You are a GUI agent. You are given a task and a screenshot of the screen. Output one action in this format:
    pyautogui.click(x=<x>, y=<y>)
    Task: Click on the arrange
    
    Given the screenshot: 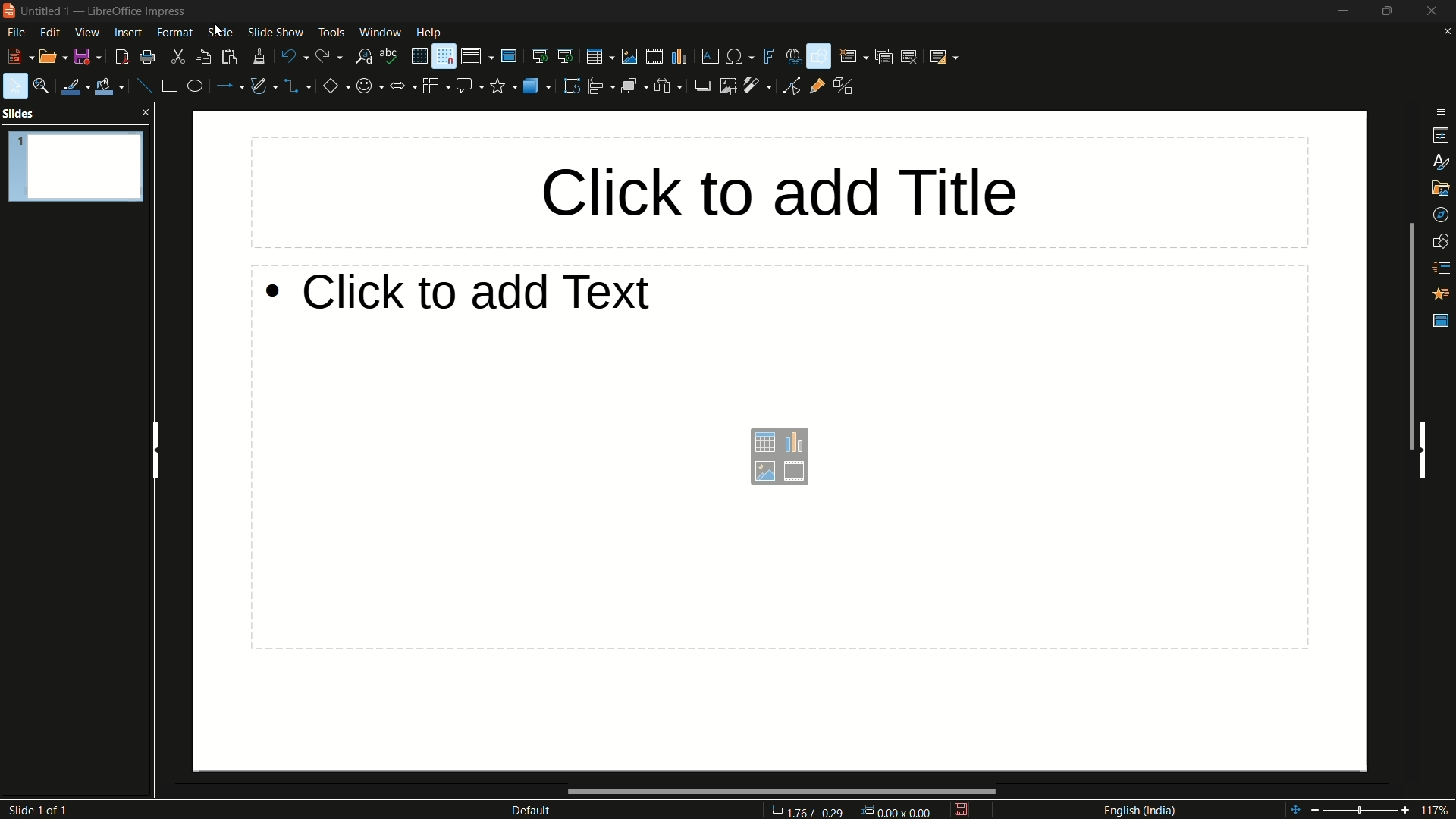 What is the action you would take?
    pyautogui.click(x=633, y=87)
    